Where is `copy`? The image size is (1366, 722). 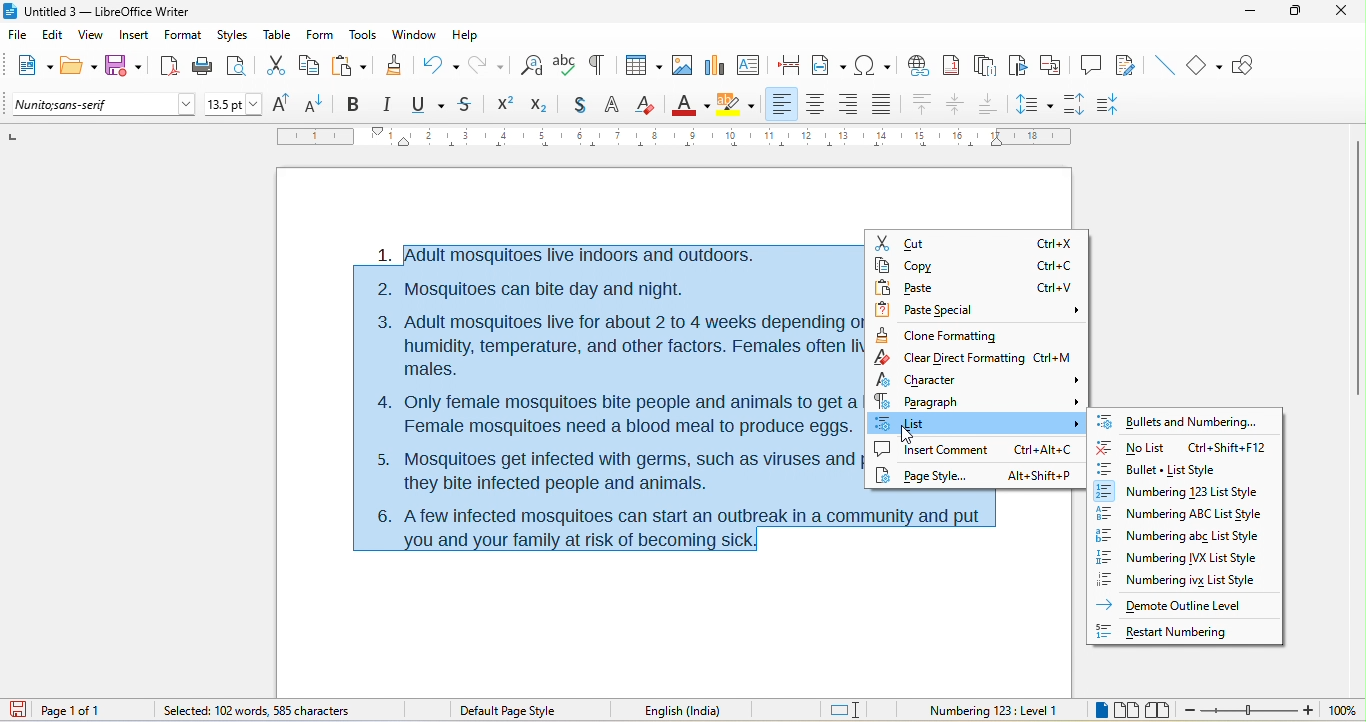 copy is located at coordinates (312, 65).